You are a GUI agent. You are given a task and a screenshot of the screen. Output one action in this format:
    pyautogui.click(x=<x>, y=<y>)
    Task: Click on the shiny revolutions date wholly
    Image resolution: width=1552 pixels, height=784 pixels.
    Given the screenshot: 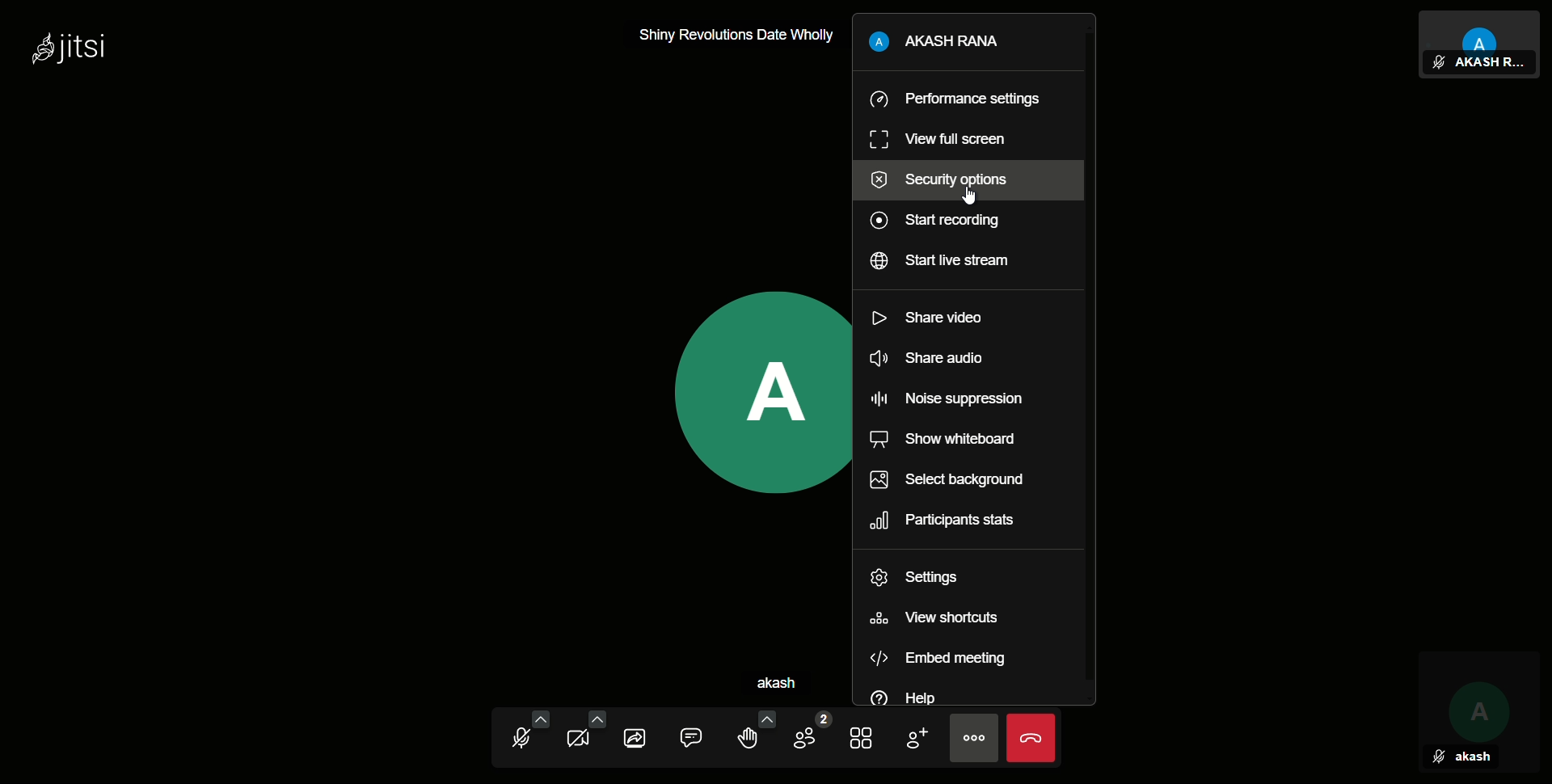 What is the action you would take?
    pyautogui.click(x=740, y=36)
    